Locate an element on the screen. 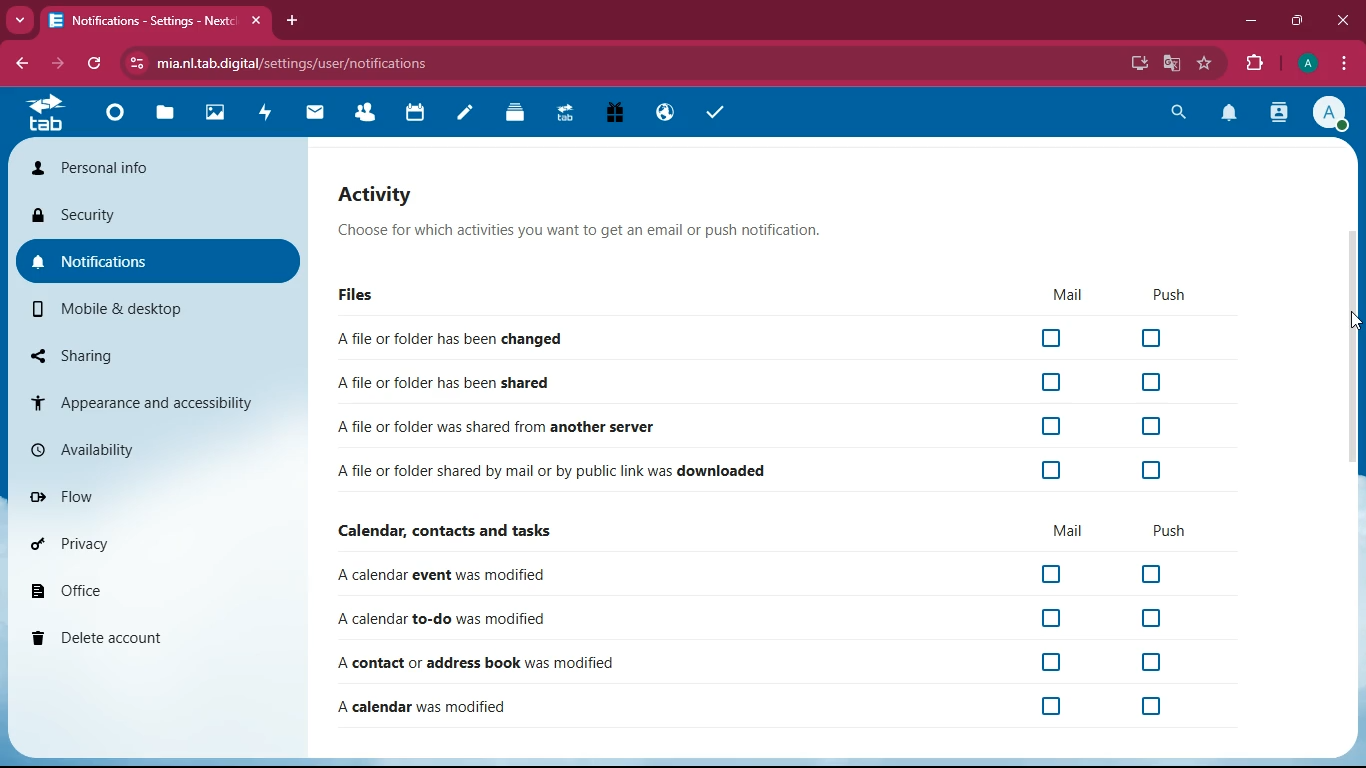 The width and height of the screenshot is (1366, 768). Cursor is located at coordinates (1355, 319).